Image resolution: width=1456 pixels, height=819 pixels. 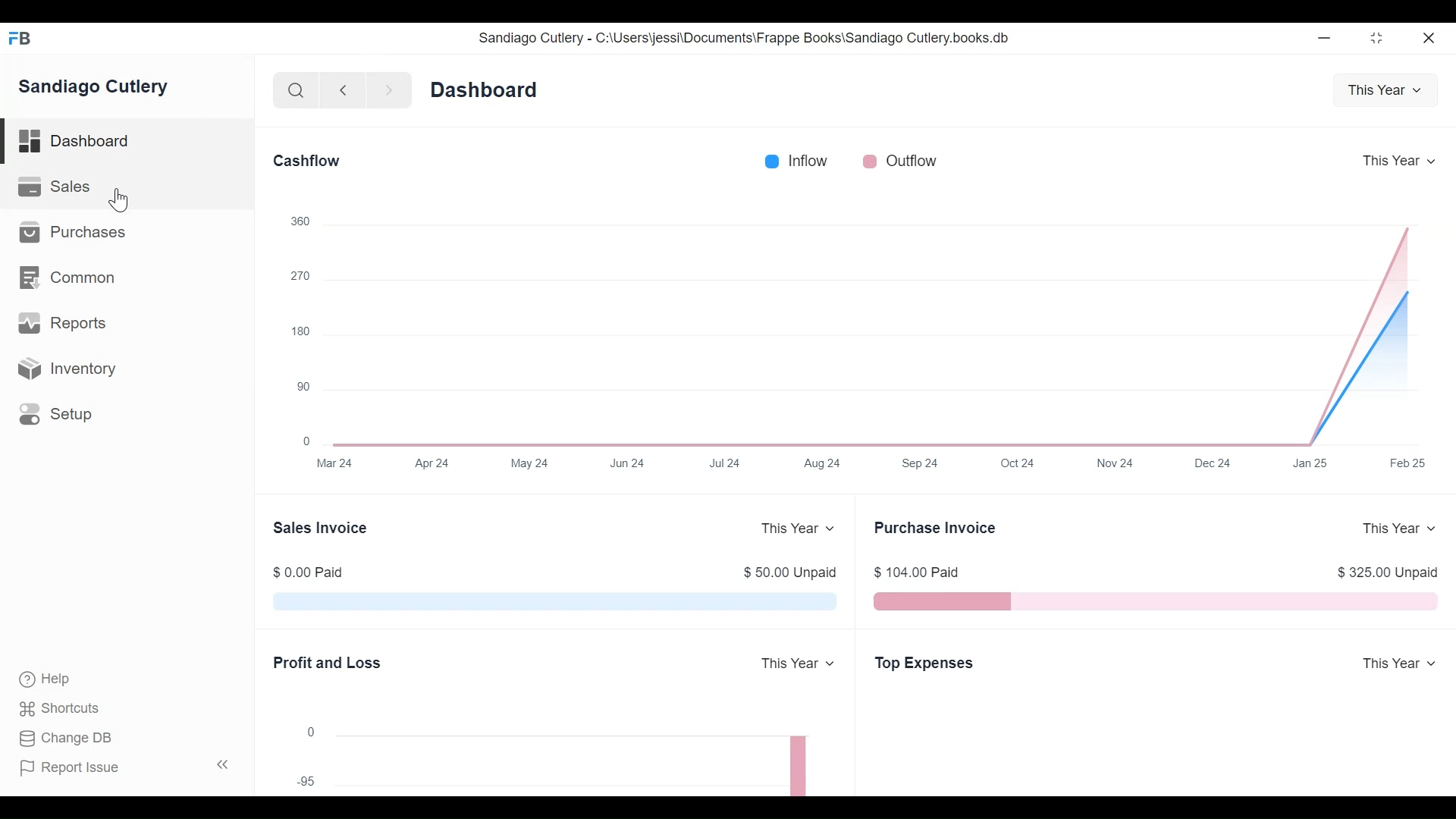 What do you see at coordinates (70, 369) in the screenshot?
I see `Inventory` at bounding box center [70, 369].